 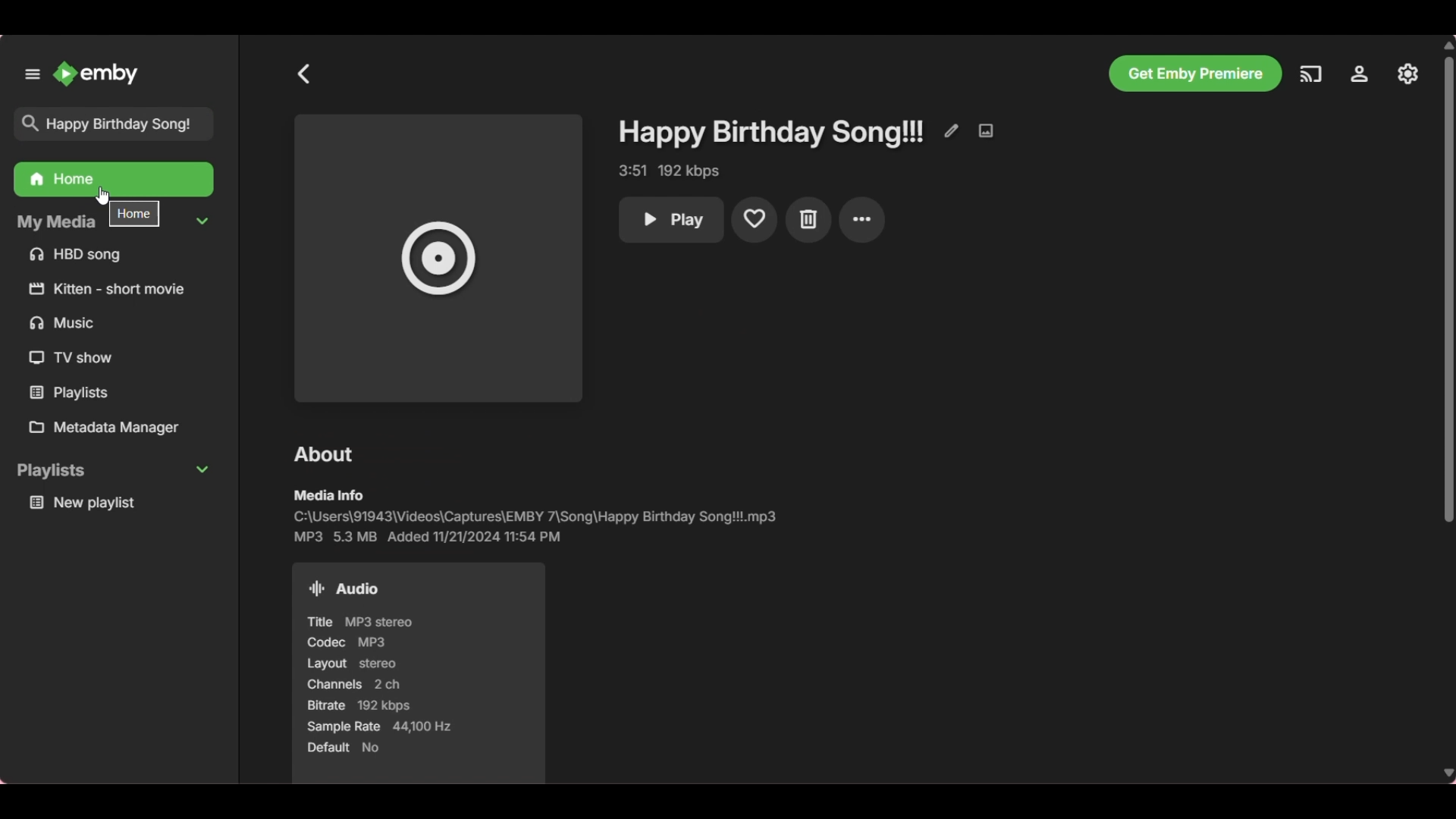 I want to click on about, so click(x=327, y=454).